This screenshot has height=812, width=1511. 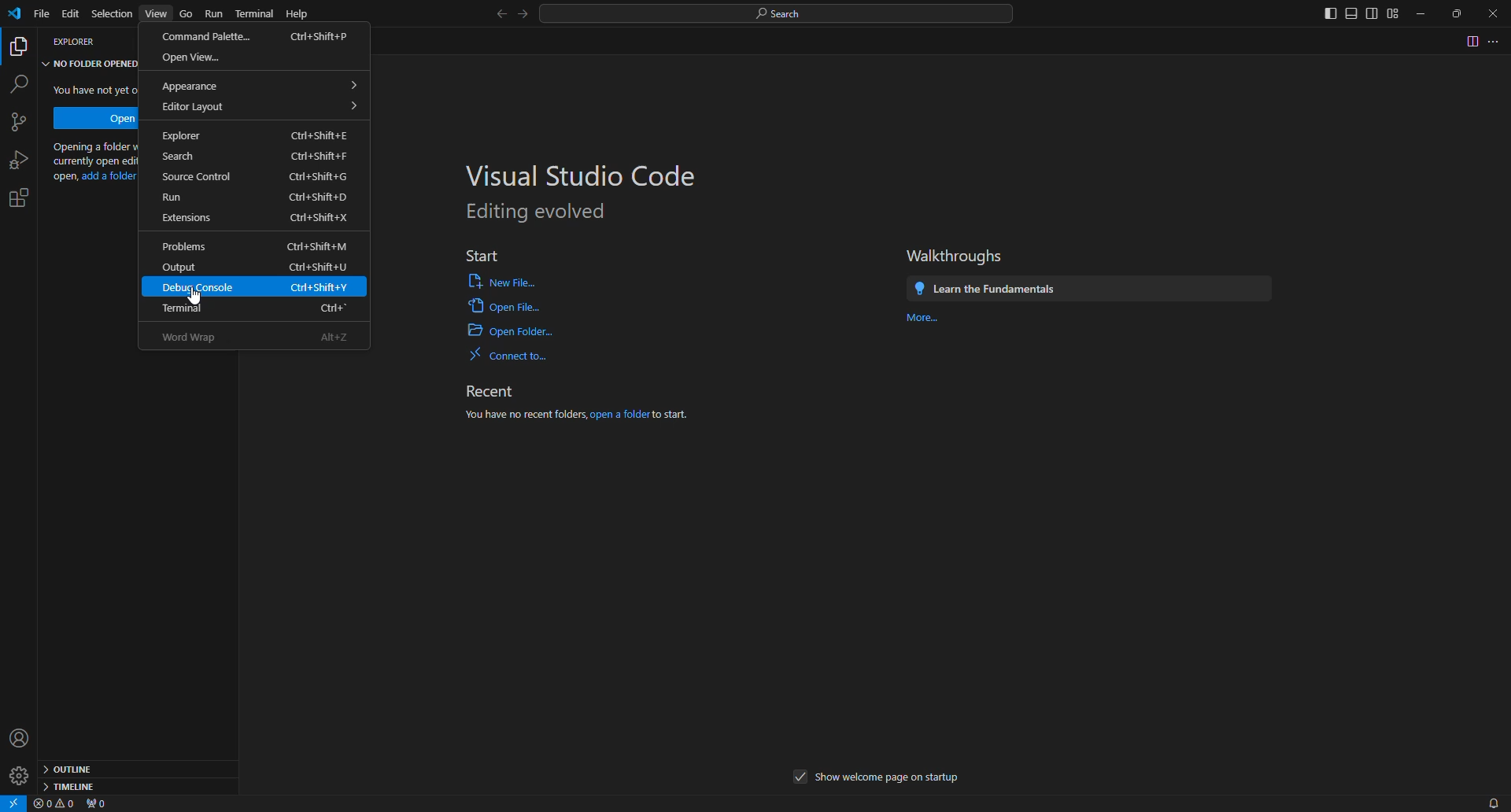 I want to click on Explorer, so click(x=253, y=131).